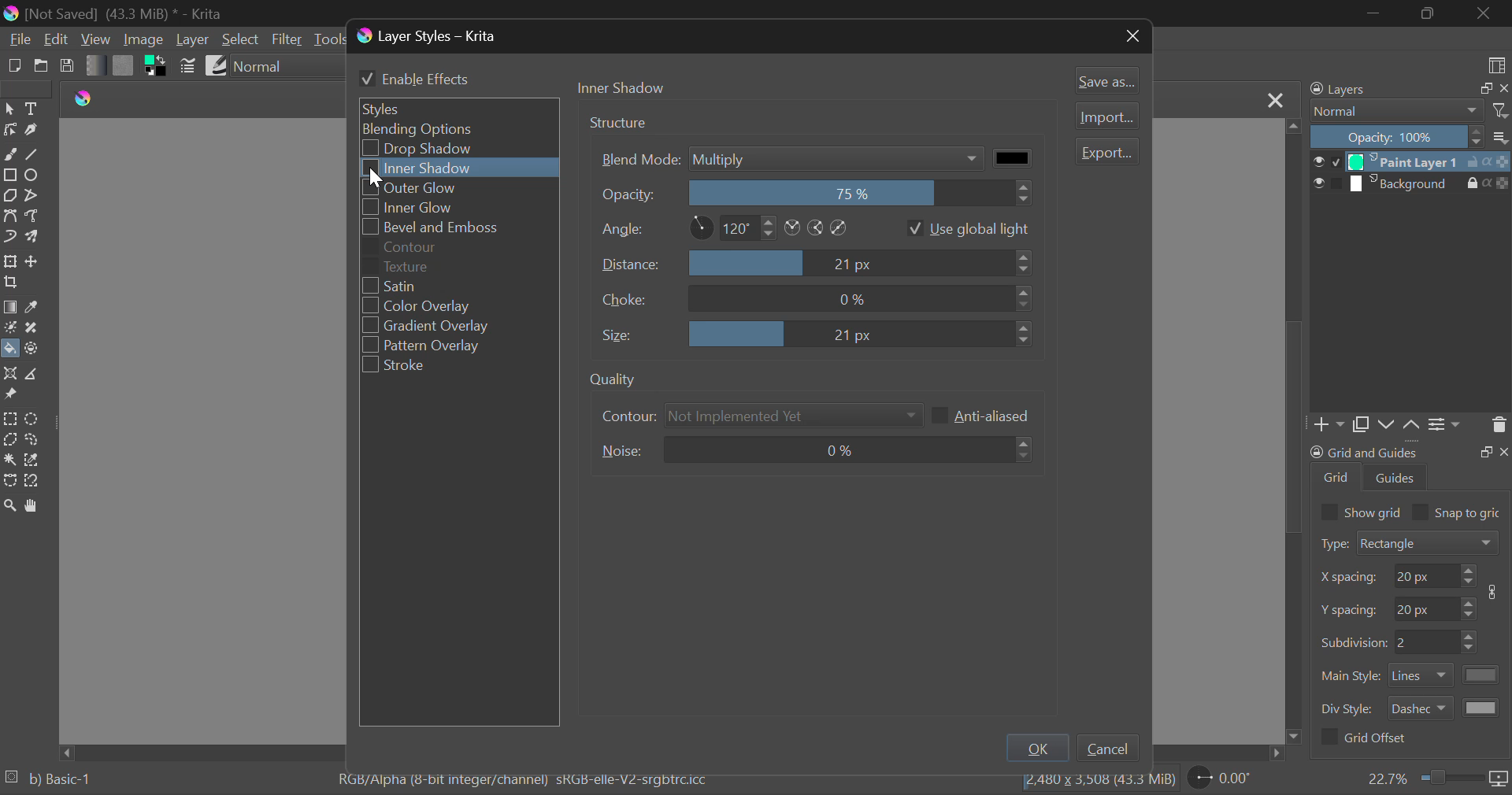  I want to click on Blending Mode, so click(285, 66).